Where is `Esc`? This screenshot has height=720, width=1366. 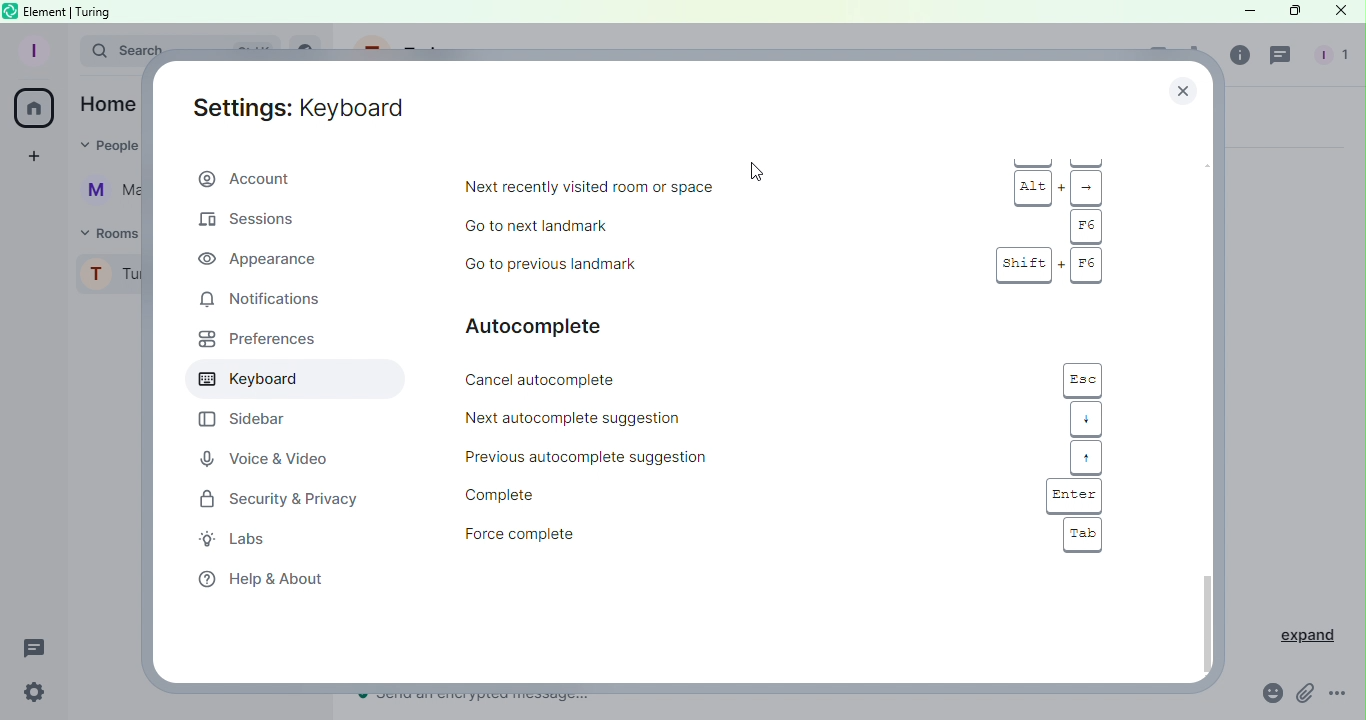
Esc is located at coordinates (1082, 379).